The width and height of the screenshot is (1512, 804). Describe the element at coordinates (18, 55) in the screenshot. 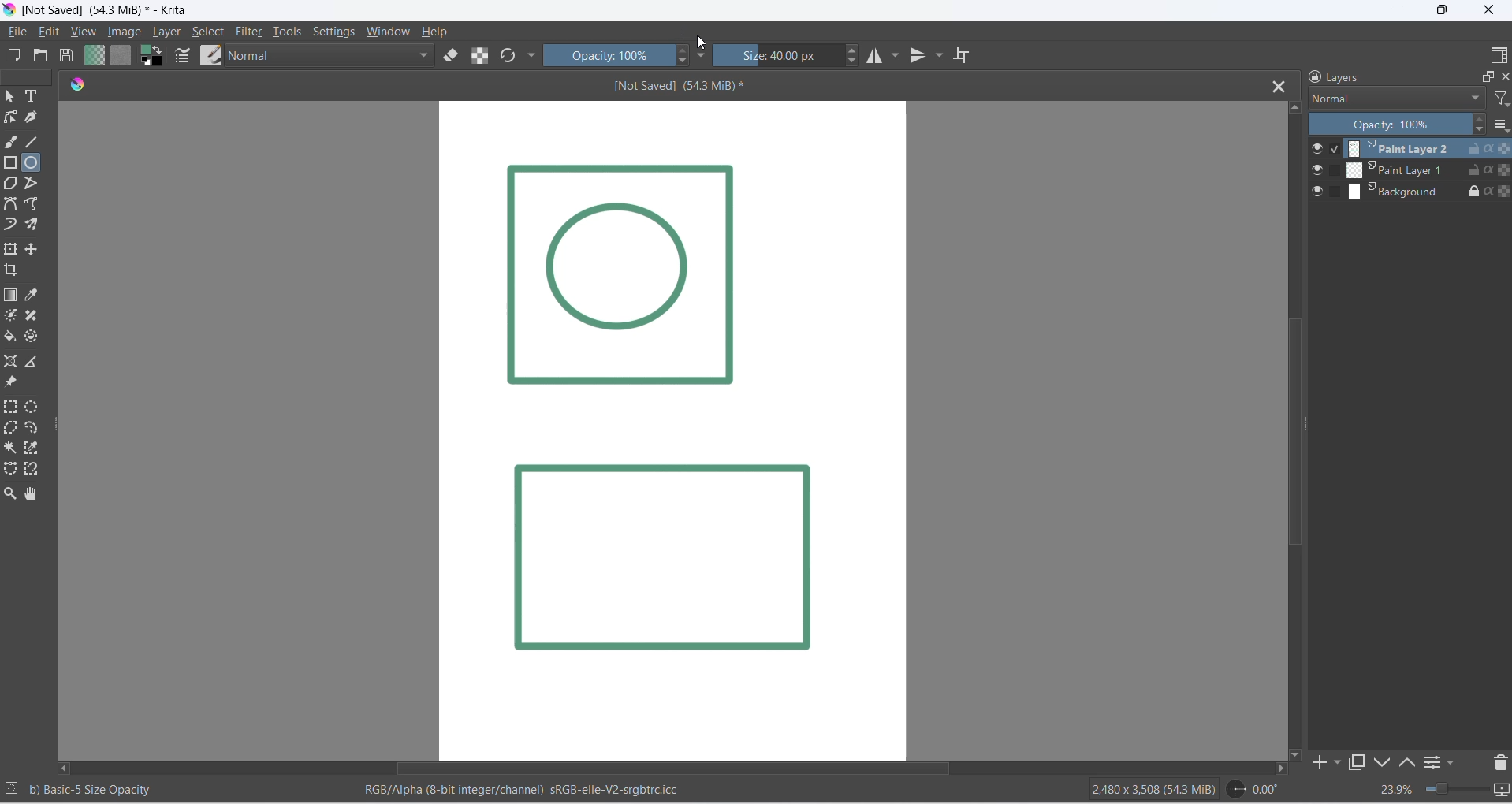

I see `new file` at that location.